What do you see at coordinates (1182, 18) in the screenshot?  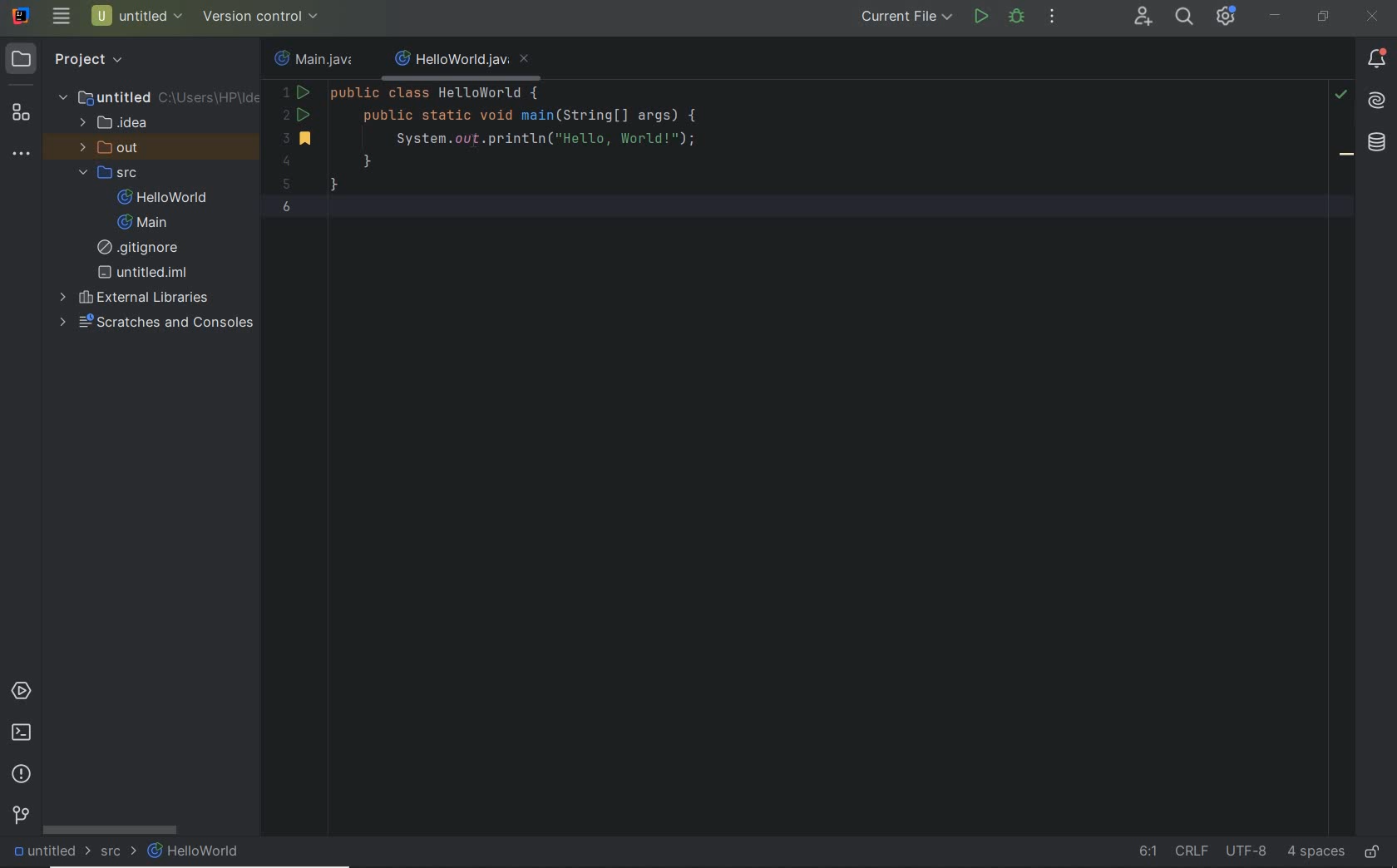 I see `search` at bounding box center [1182, 18].